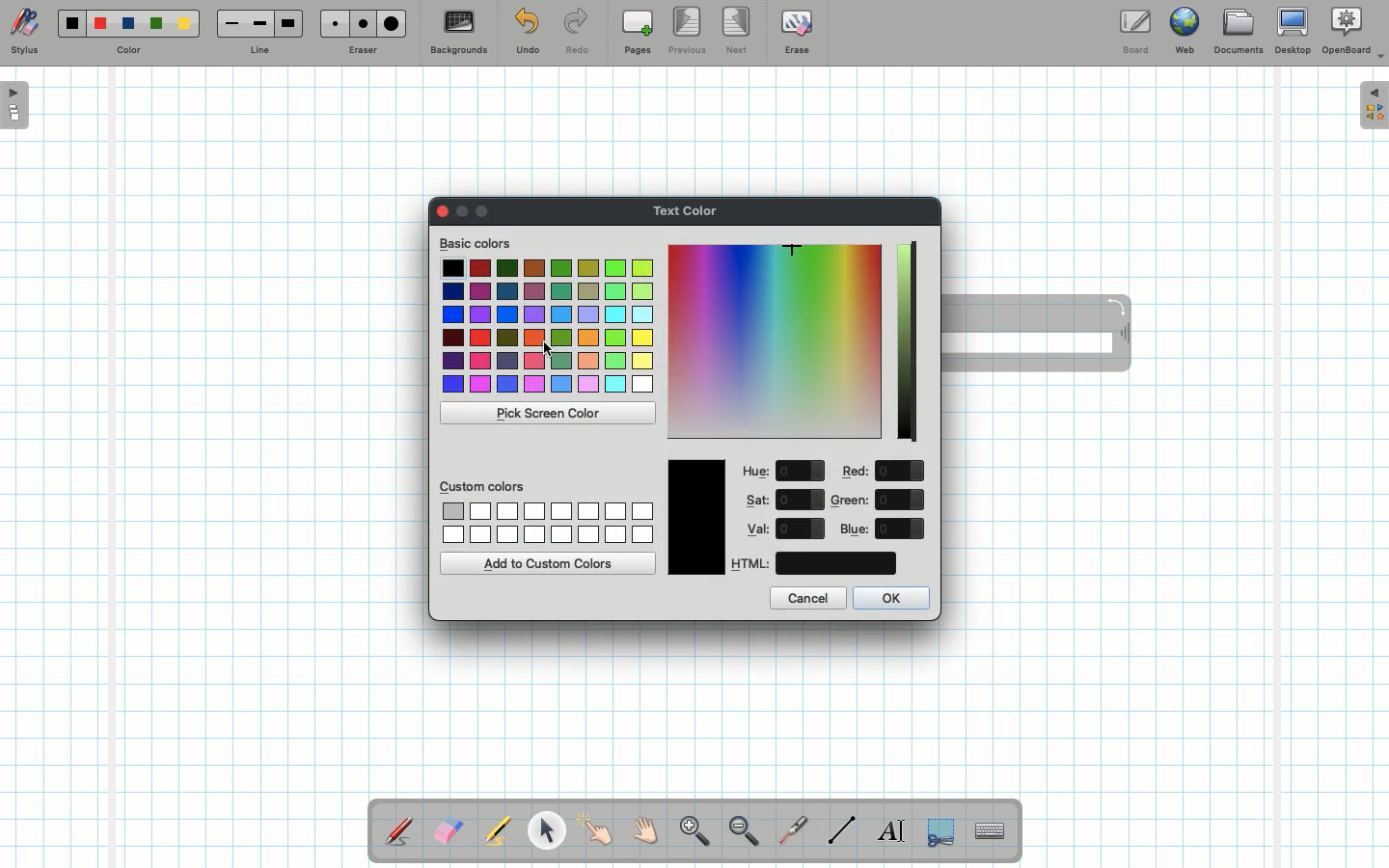 This screenshot has width=1389, height=868. What do you see at coordinates (842, 829) in the screenshot?
I see `Line` at bounding box center [842, 829].